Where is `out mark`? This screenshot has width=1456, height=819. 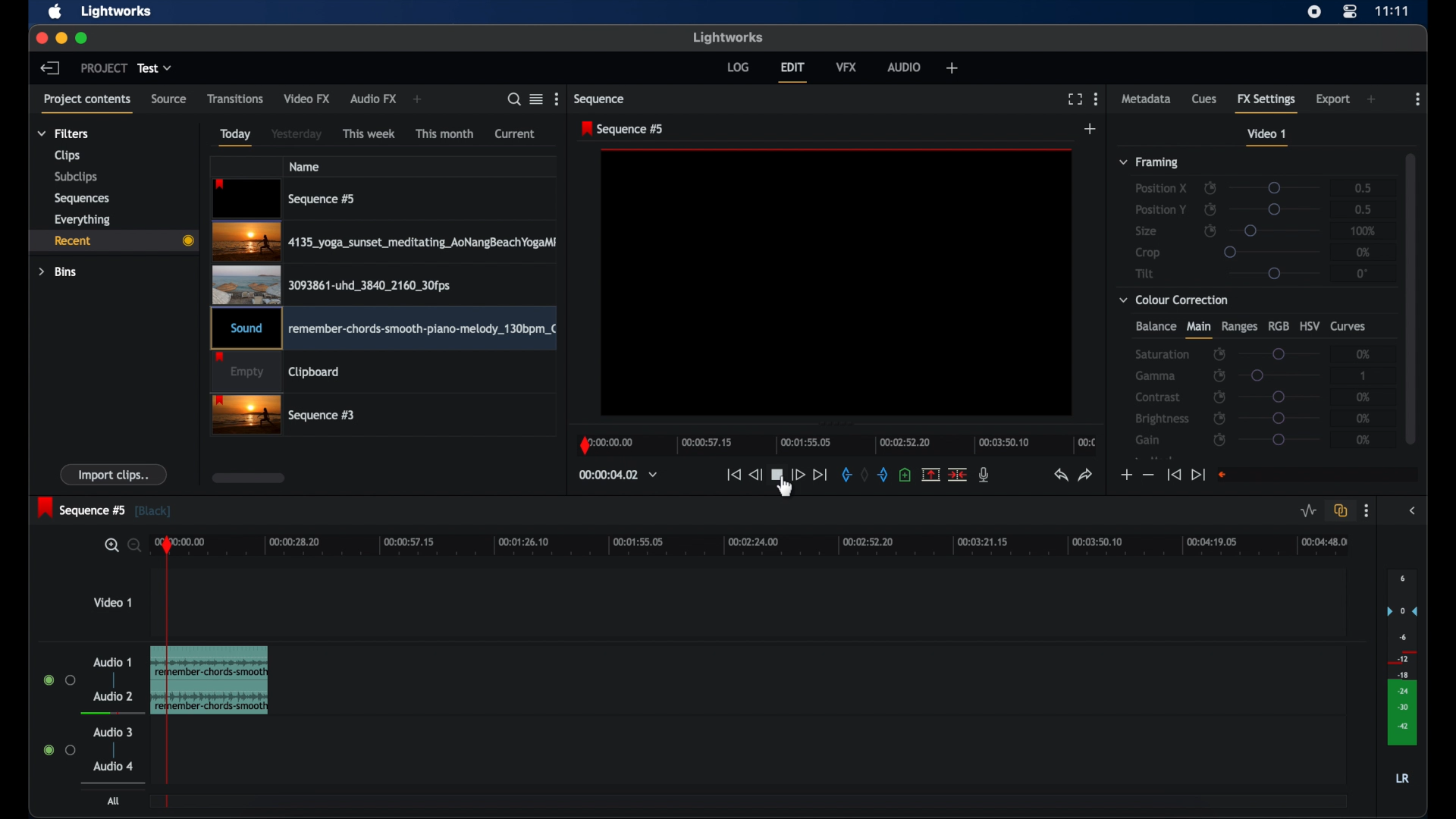
out mark is located at coordinates (882, 475).